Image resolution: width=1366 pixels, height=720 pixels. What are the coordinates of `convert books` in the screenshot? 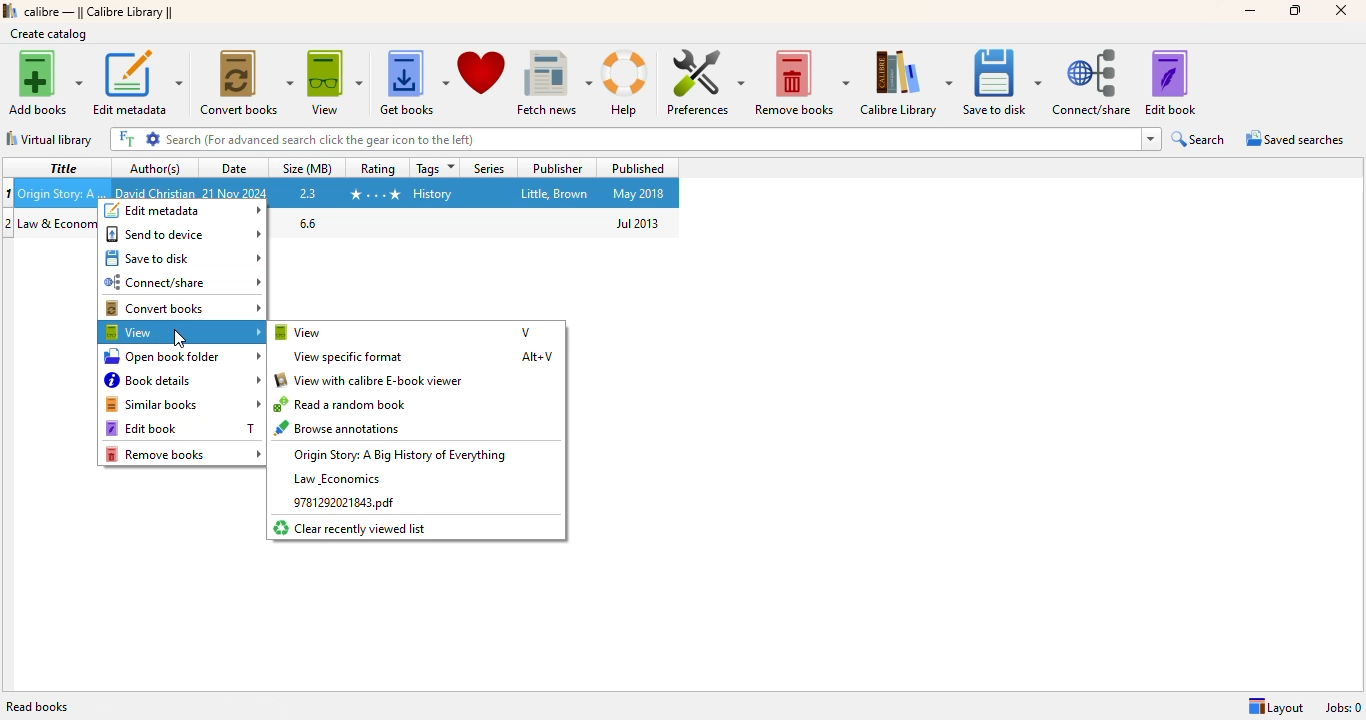 It's located at (182, 308).